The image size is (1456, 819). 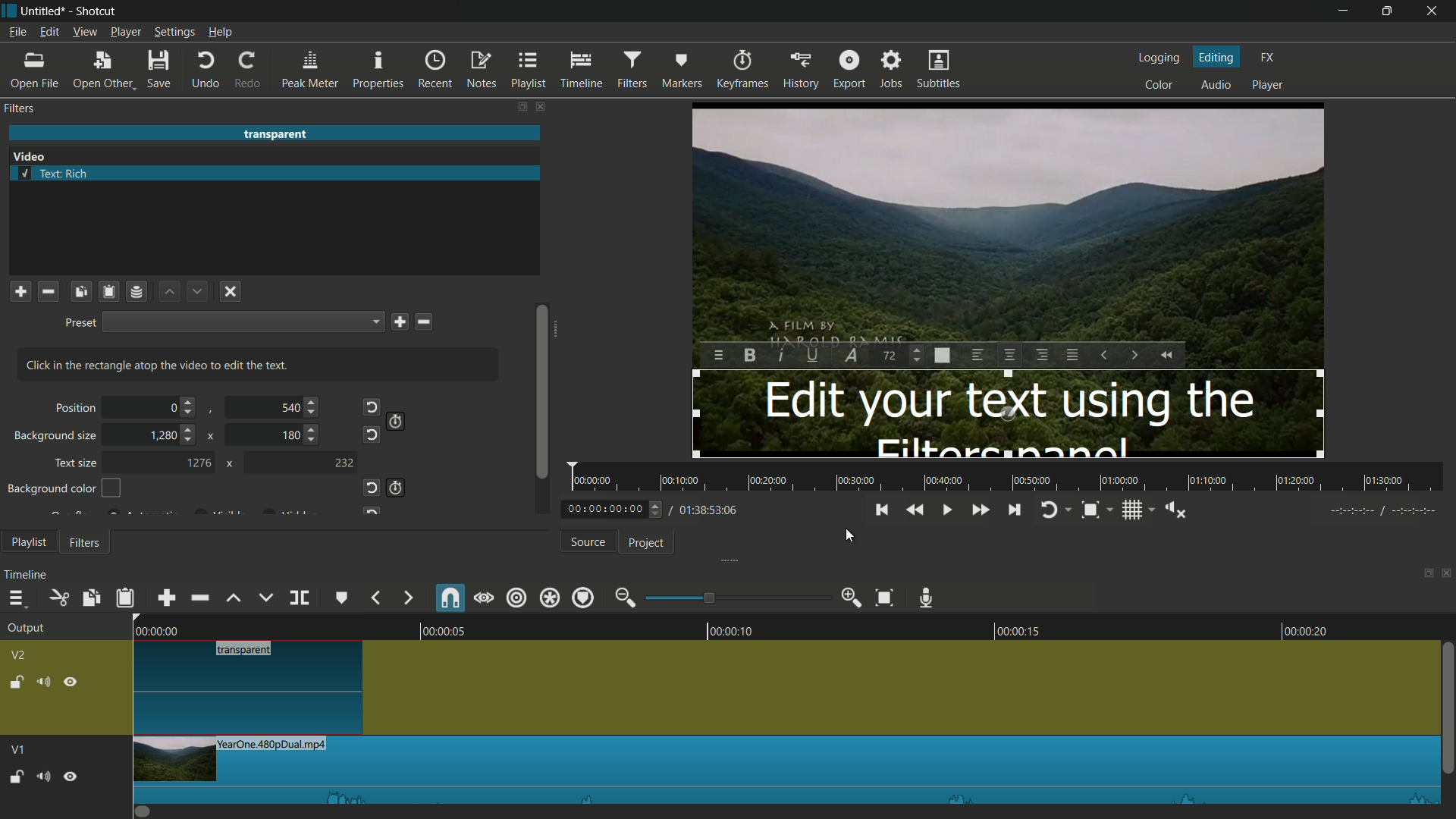 I want to click on filters, so click(x=631, y=71).